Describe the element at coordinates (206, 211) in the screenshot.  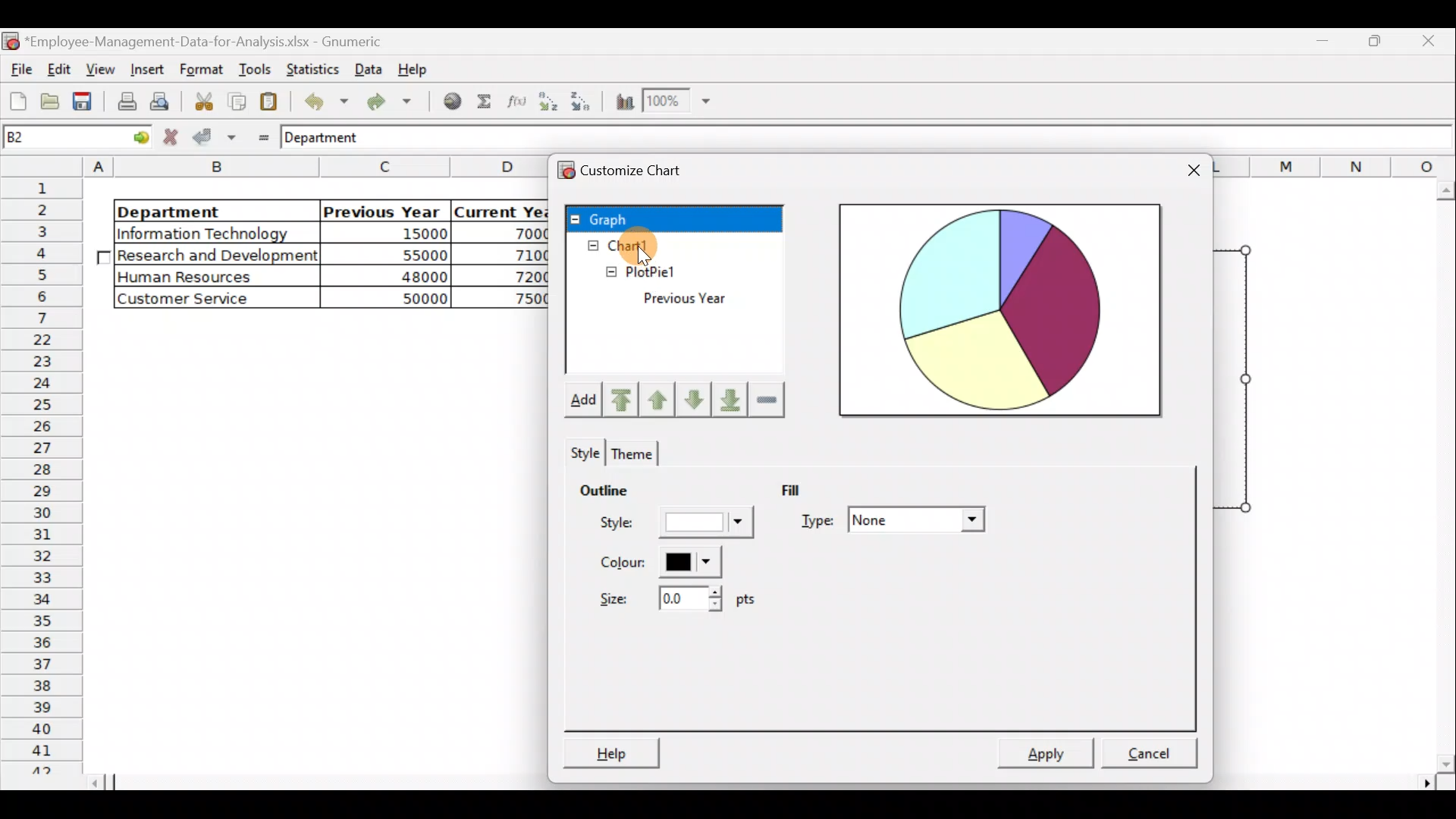
I see `Department` at that location.